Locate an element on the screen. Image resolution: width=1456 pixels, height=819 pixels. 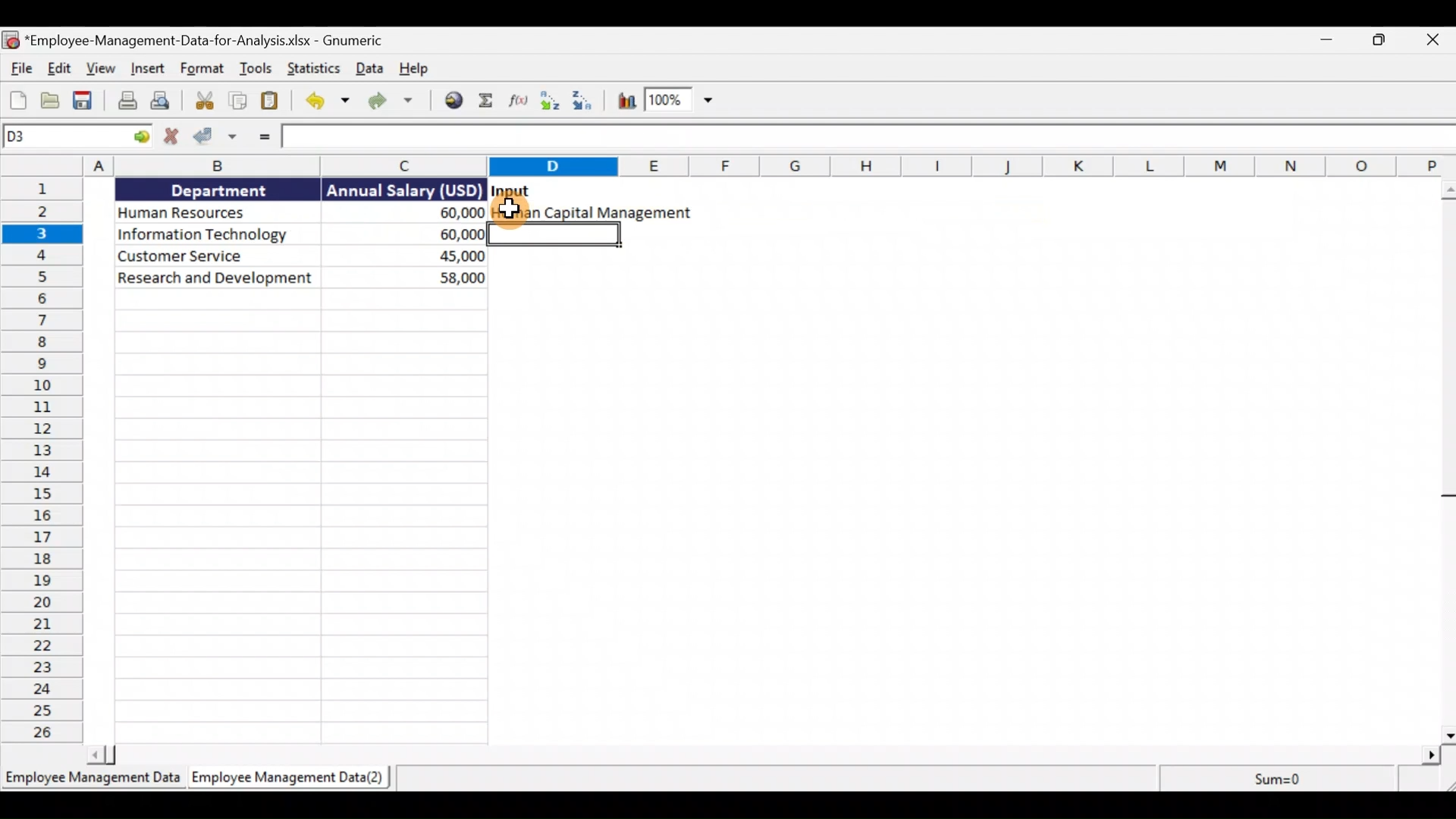
Enter formula is located at coordinates (262, 139).